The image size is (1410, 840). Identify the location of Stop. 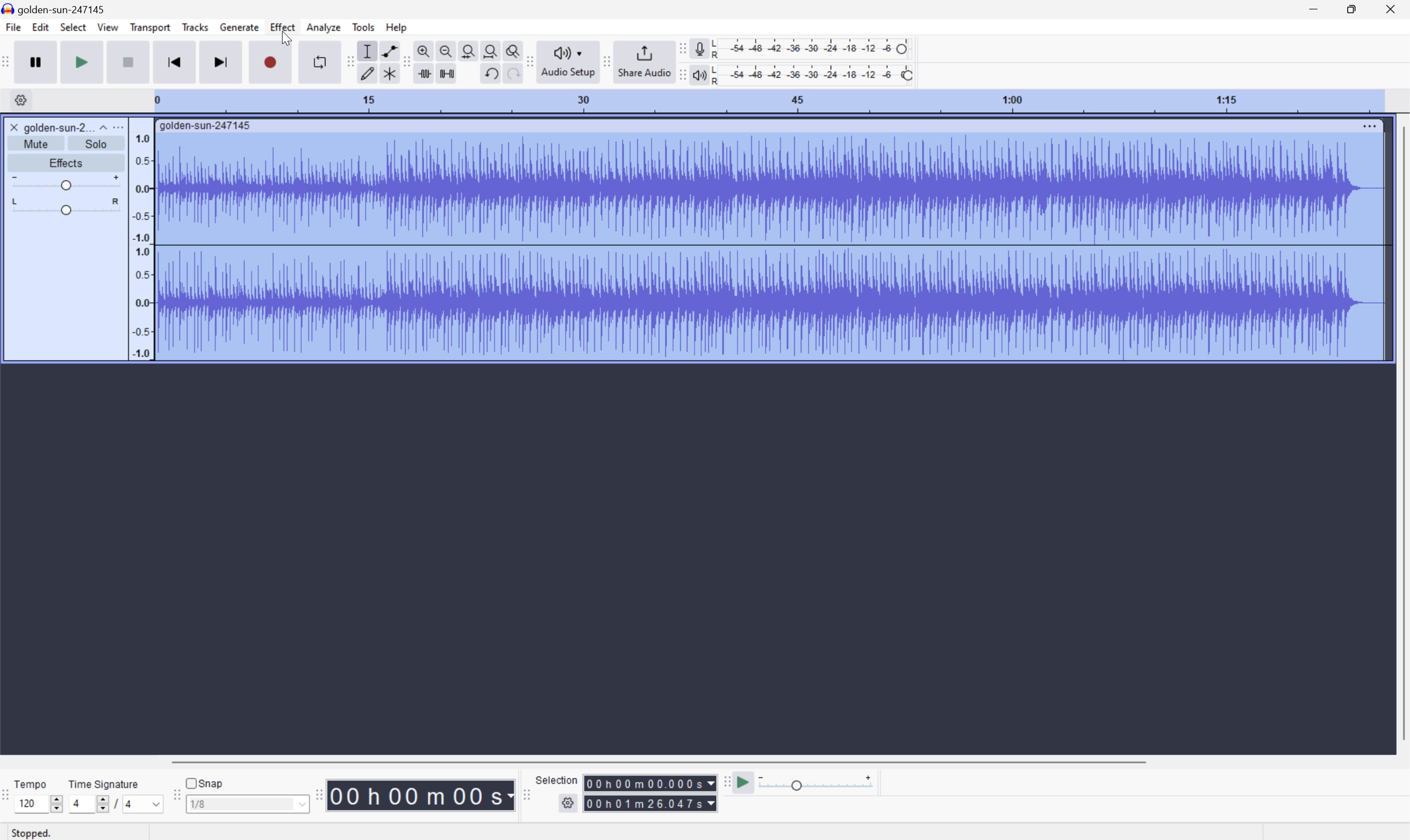
(127, 62).